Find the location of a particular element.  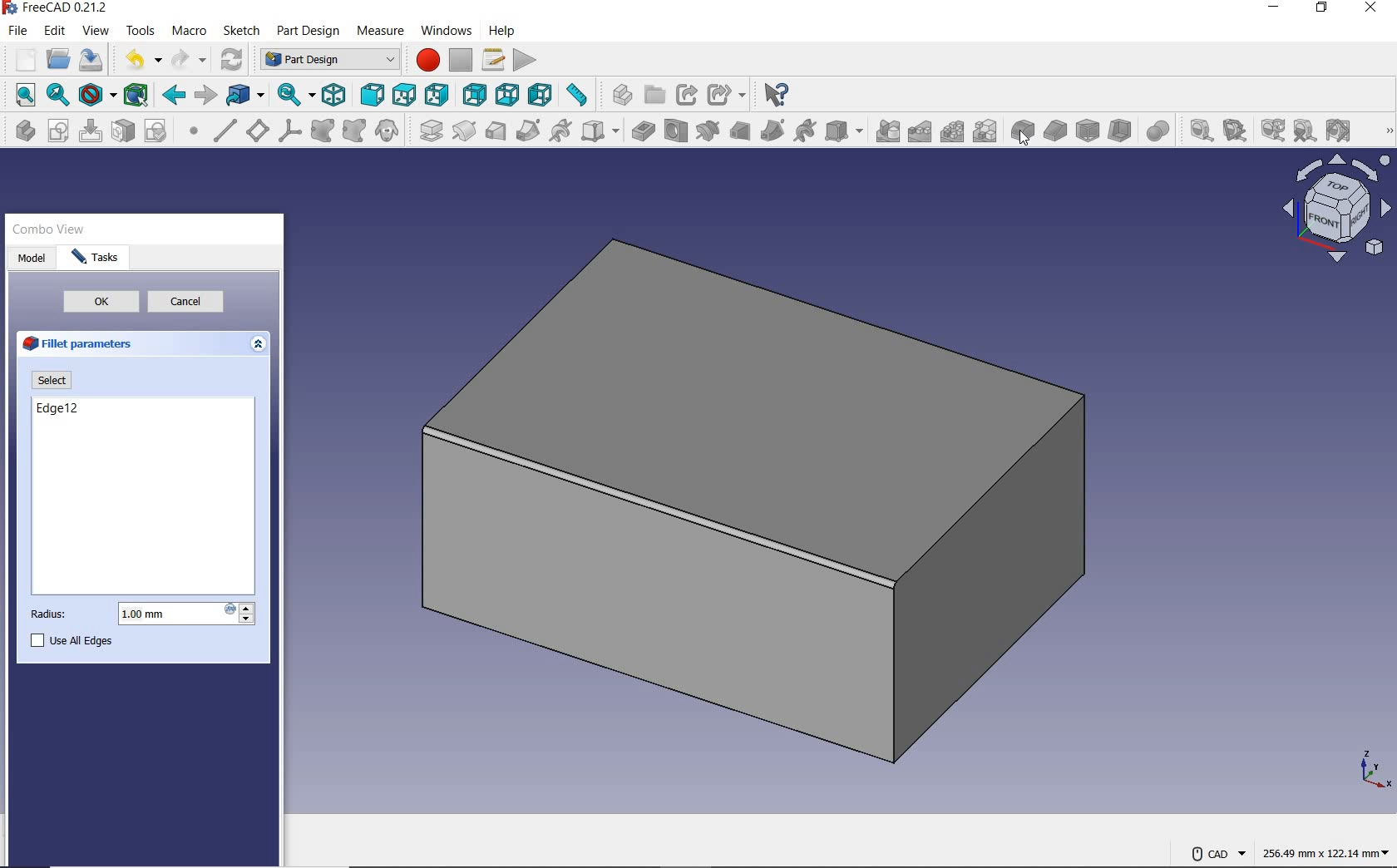

use all edges is located at coordinates (72, 640).